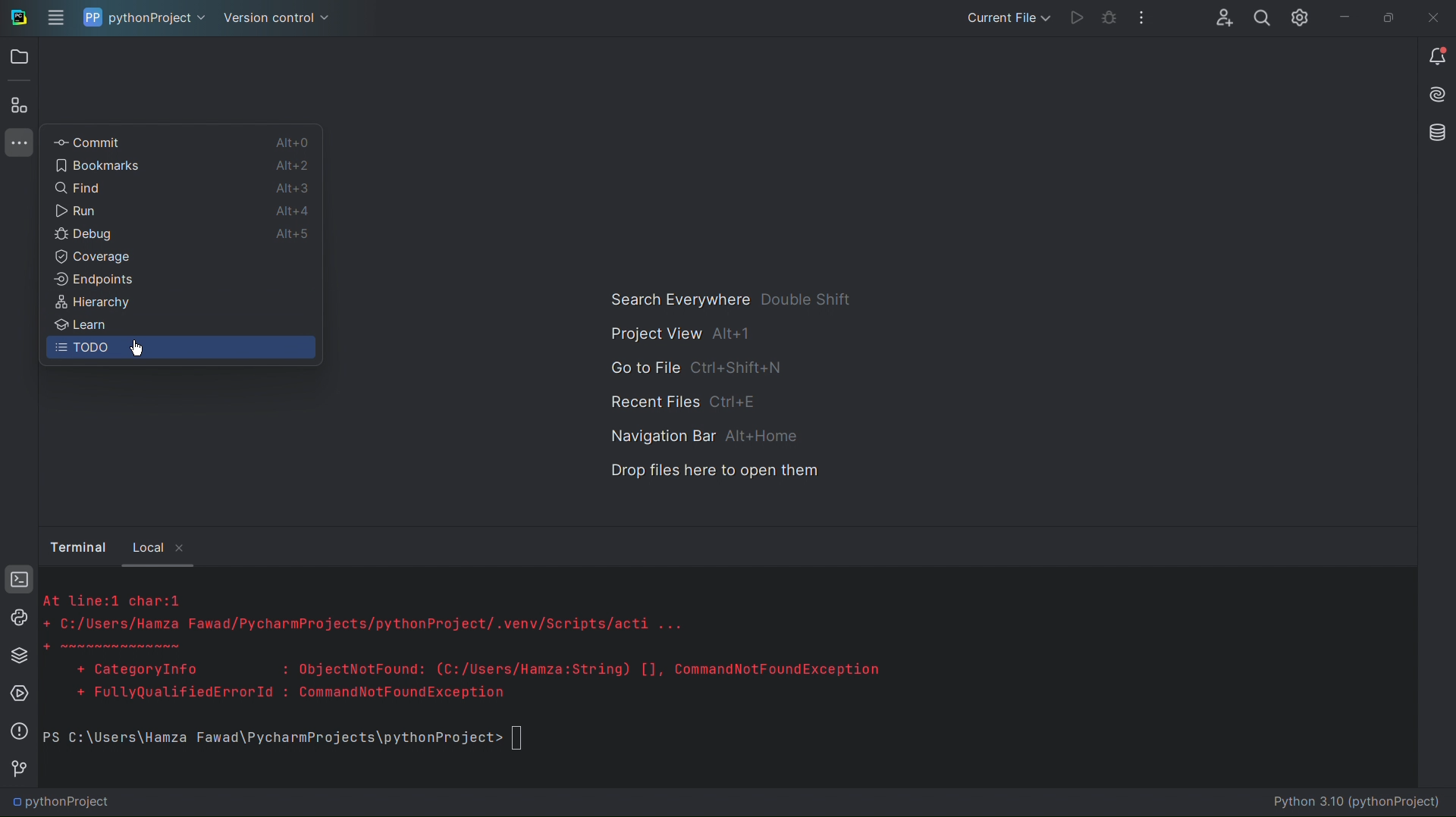 The height and width of the screenshot is (817, 1456). Describe the element at coordinates (77, 185) in the screenshot. I see `Find` at that location.